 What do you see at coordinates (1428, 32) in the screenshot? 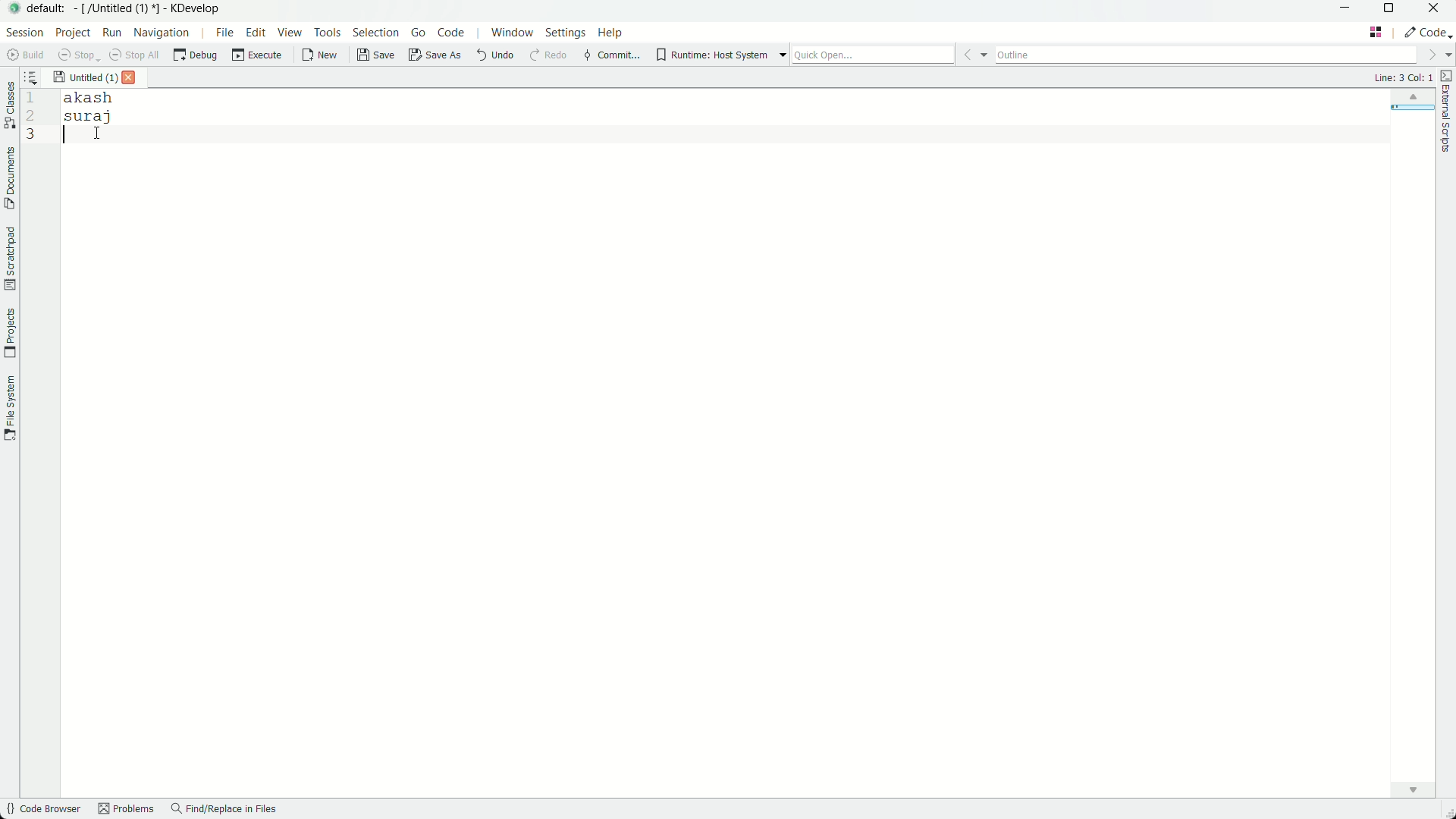
I see `execute actions to change the area` at bounding box center [1428, 32].